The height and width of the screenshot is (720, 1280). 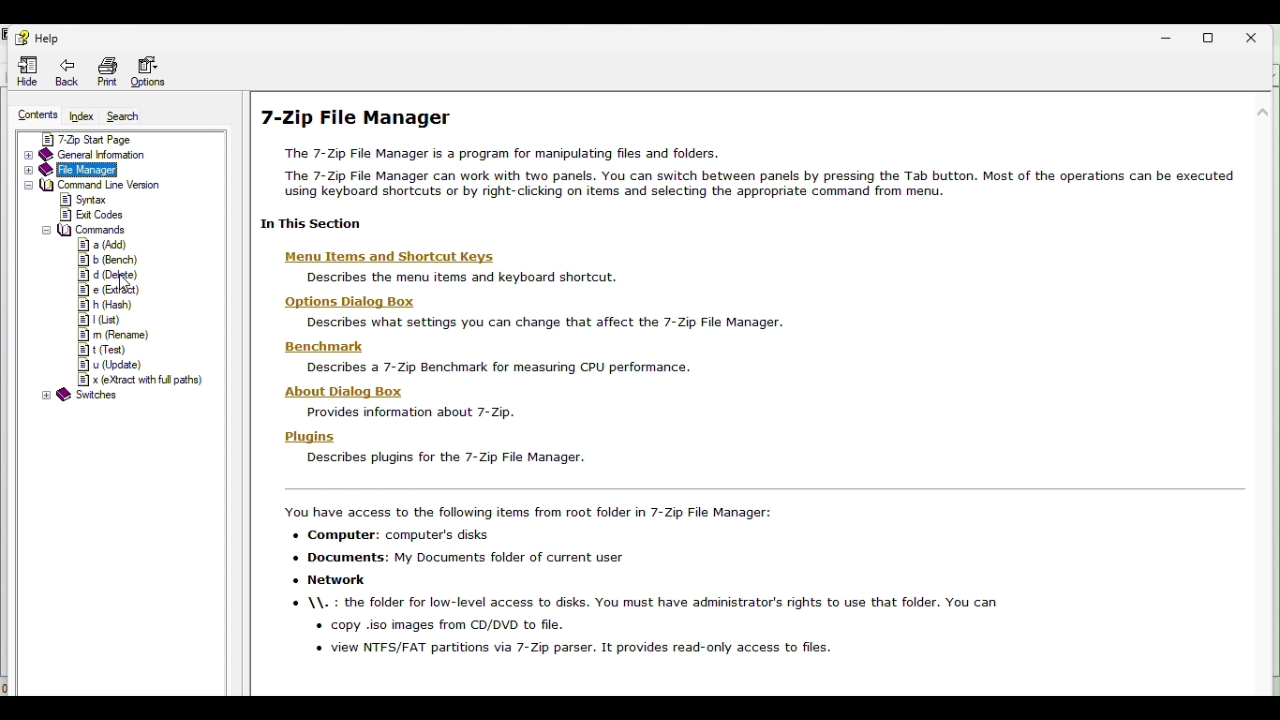 I want to click on You have access to the following items from root folder in 7-Zip File Manager:
+ Computer: computer's disks
+ Documents: My Documents folder of current user
+ Network
+ \\. : the folder for low-level access to disks. You must have administrator's rights to use that folder. You can
« copy .iso images from CD/DVD to file.
« view NTFS/FAT partitions via 7-Zip parser. It provides read-only access to files., so click(x=689, y=587).